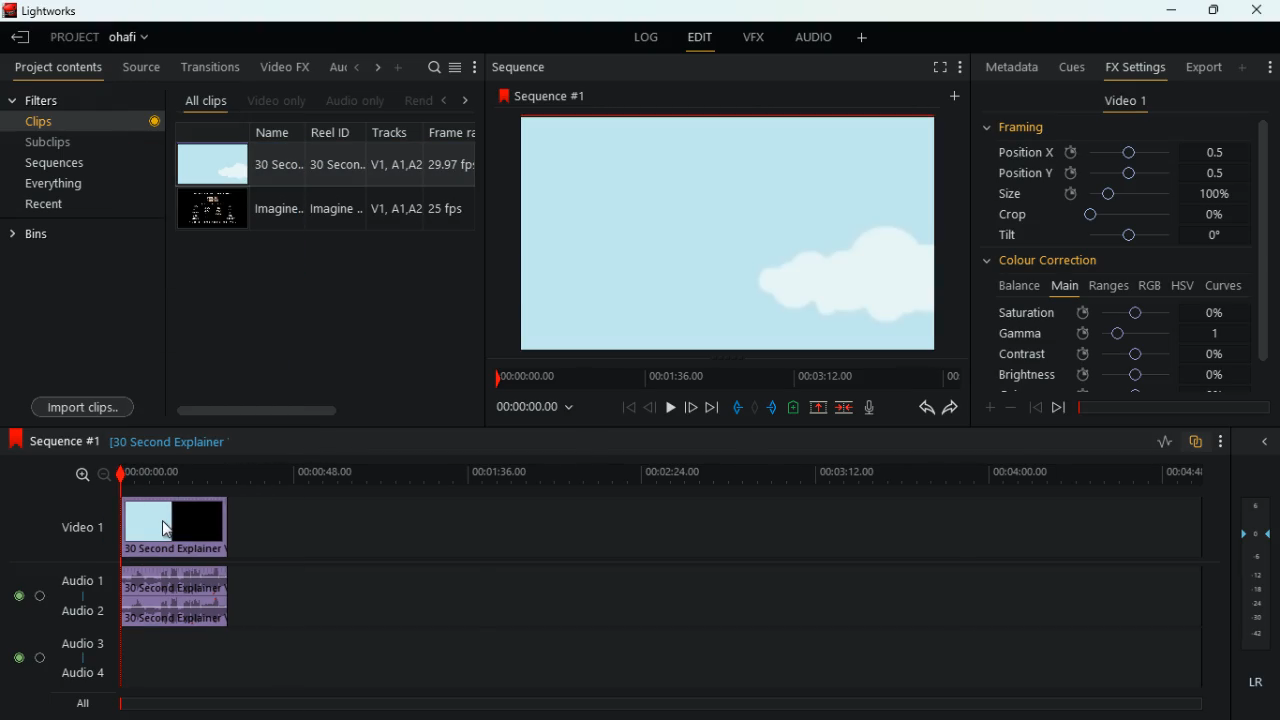 Image resolution: width=1280 pixels, height=720 pixels. I want to click on contrast, so click(1110, 355).